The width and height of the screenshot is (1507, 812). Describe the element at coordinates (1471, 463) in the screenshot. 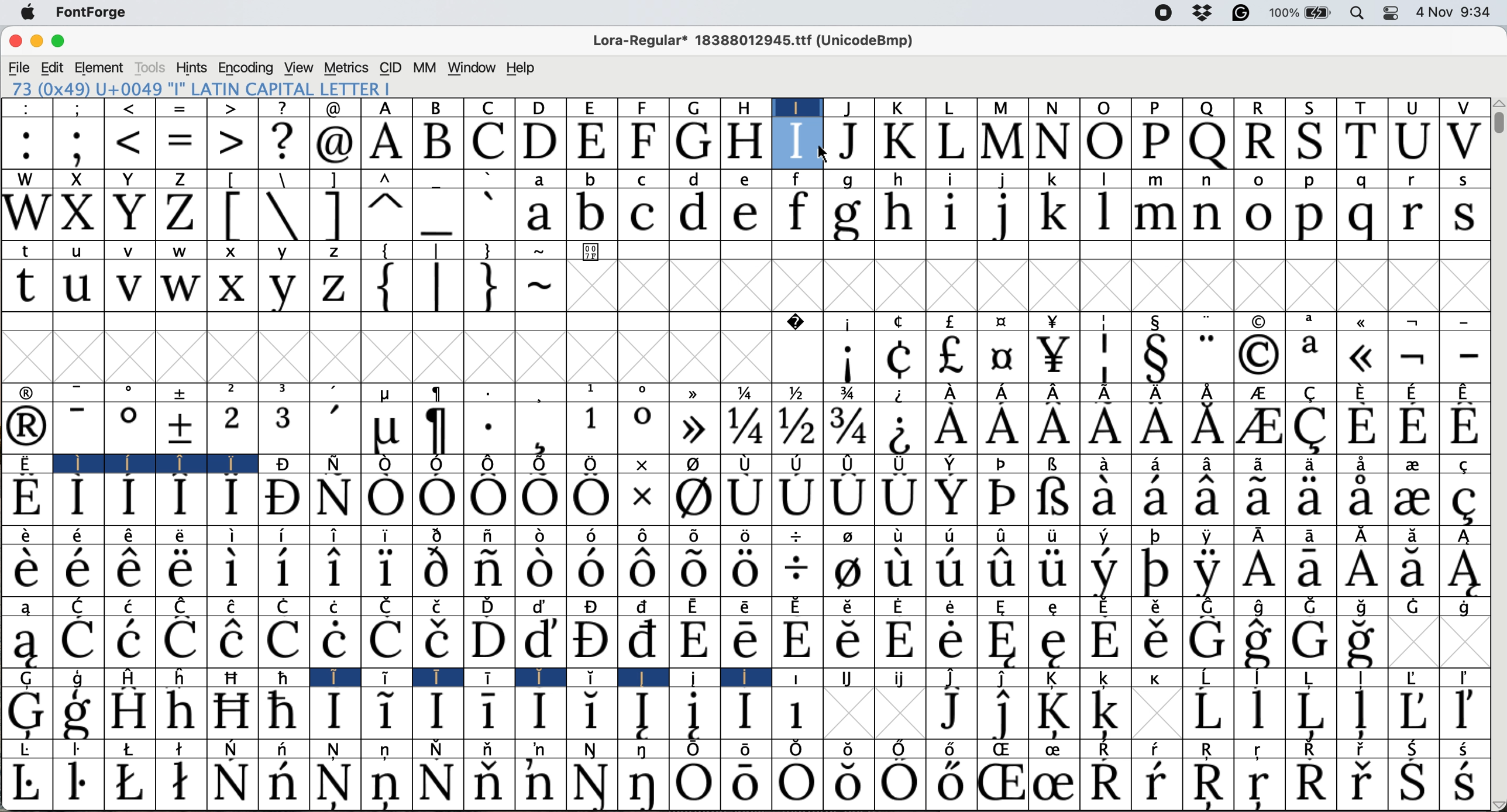

I see `Symbol` at that location.